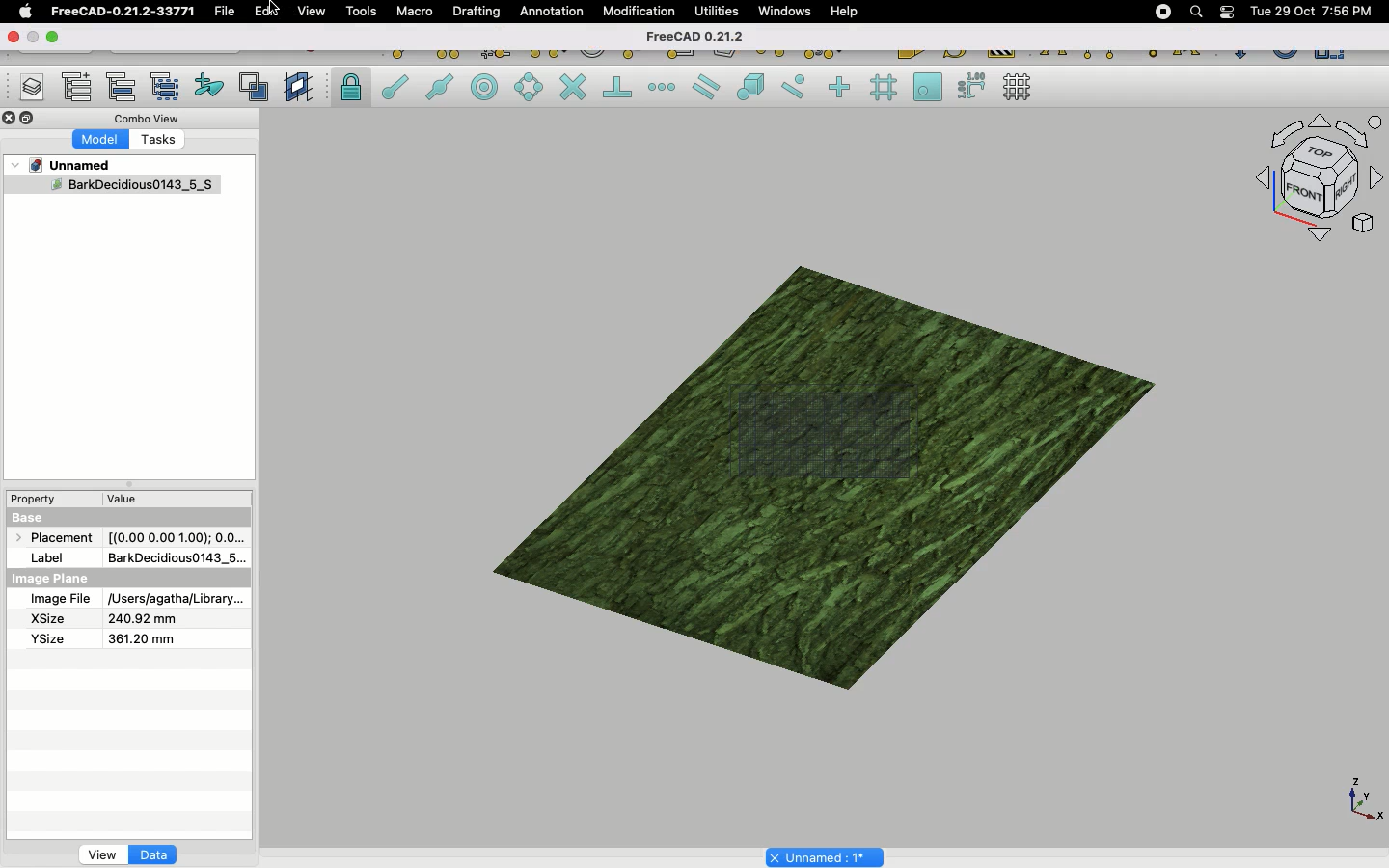 Image resolution: width=1389 pixels, height=868 pixels. I want to click on View, so click(312, 10).